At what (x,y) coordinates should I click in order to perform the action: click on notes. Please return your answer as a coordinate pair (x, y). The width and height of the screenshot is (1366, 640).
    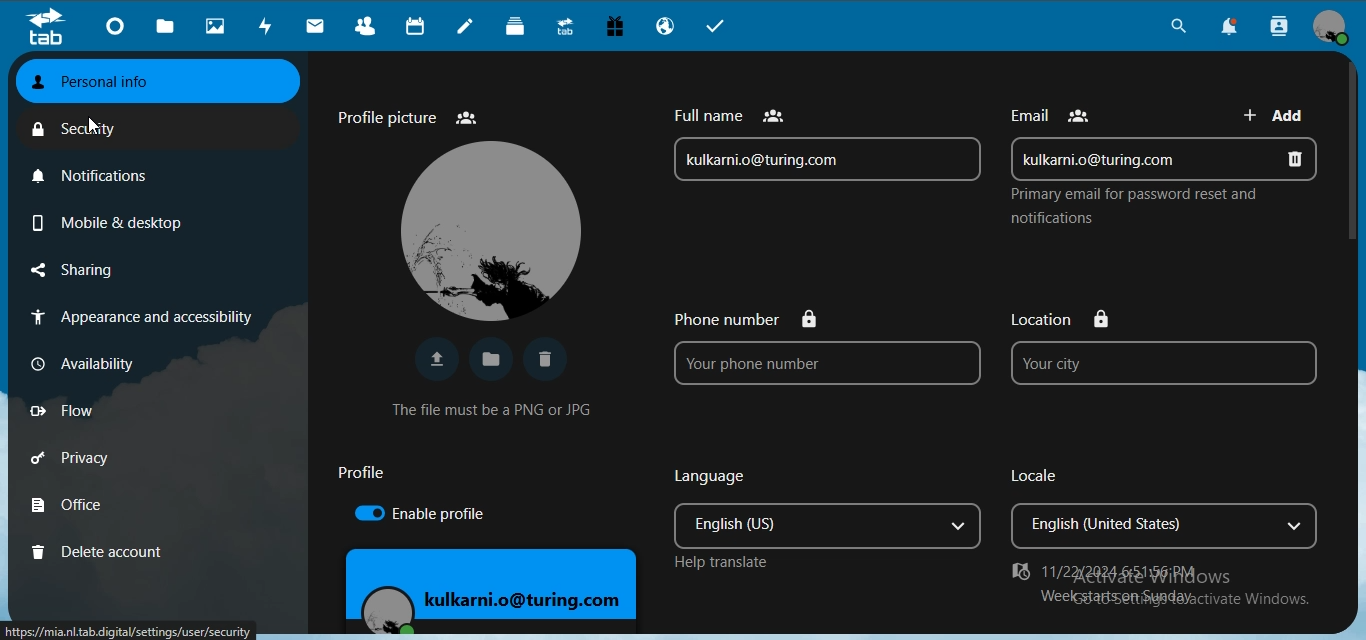
    Looking at the image, I should click on (468, 28).